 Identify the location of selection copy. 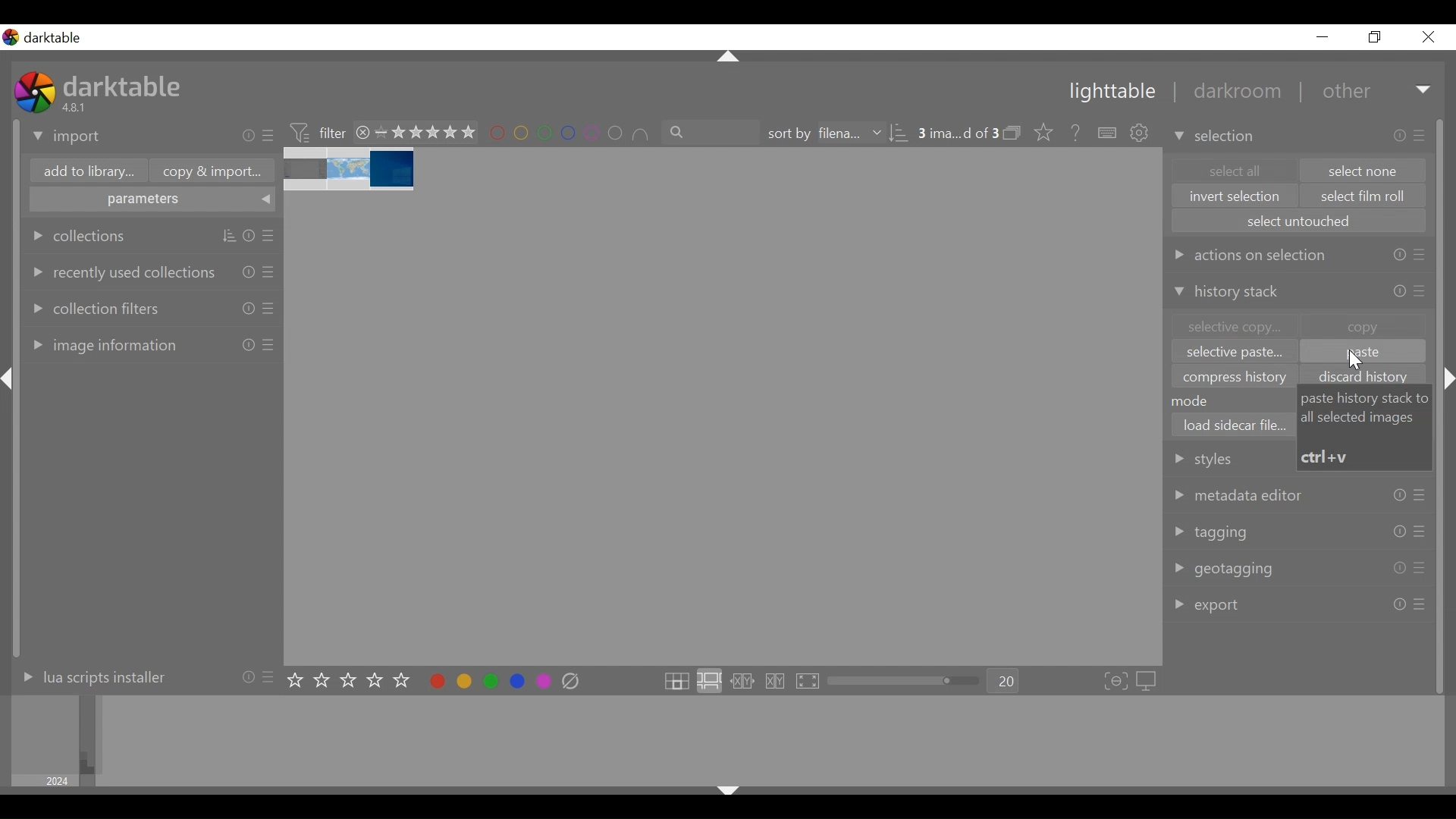
(1232, 327).